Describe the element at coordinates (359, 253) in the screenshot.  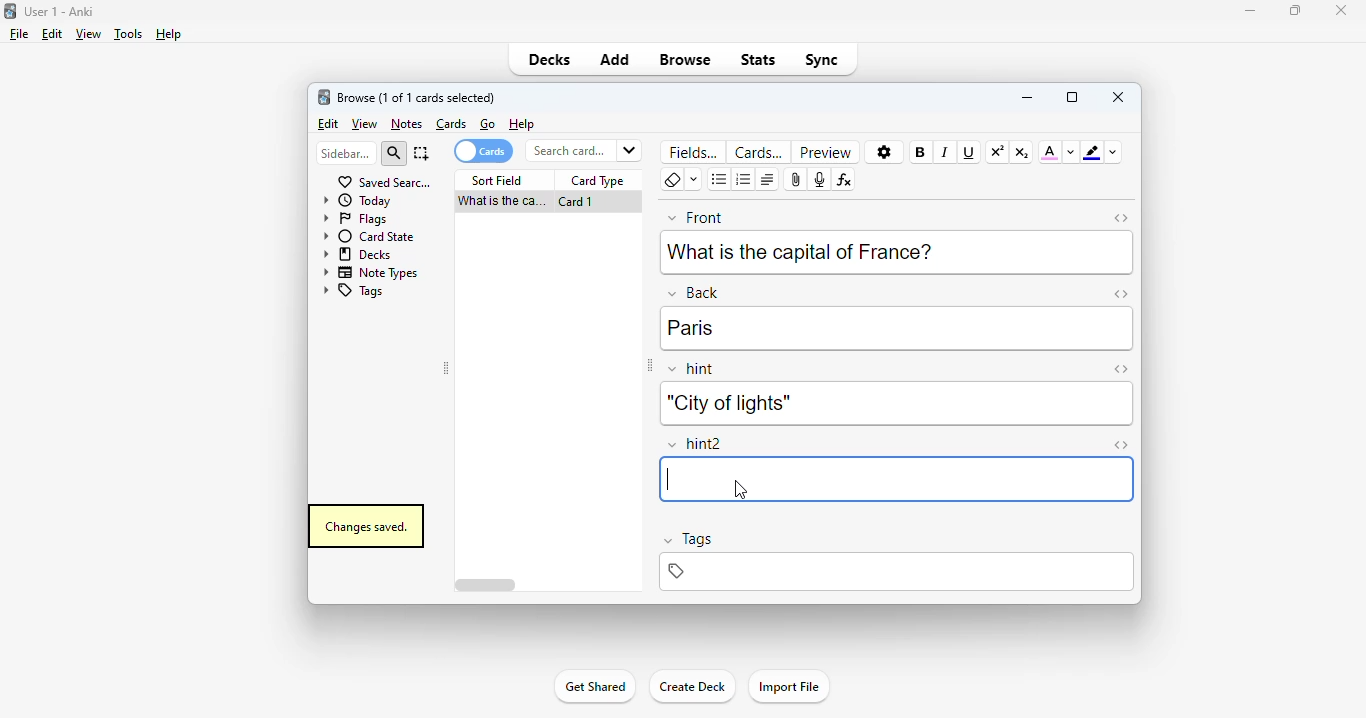
I see `decks` at that location.